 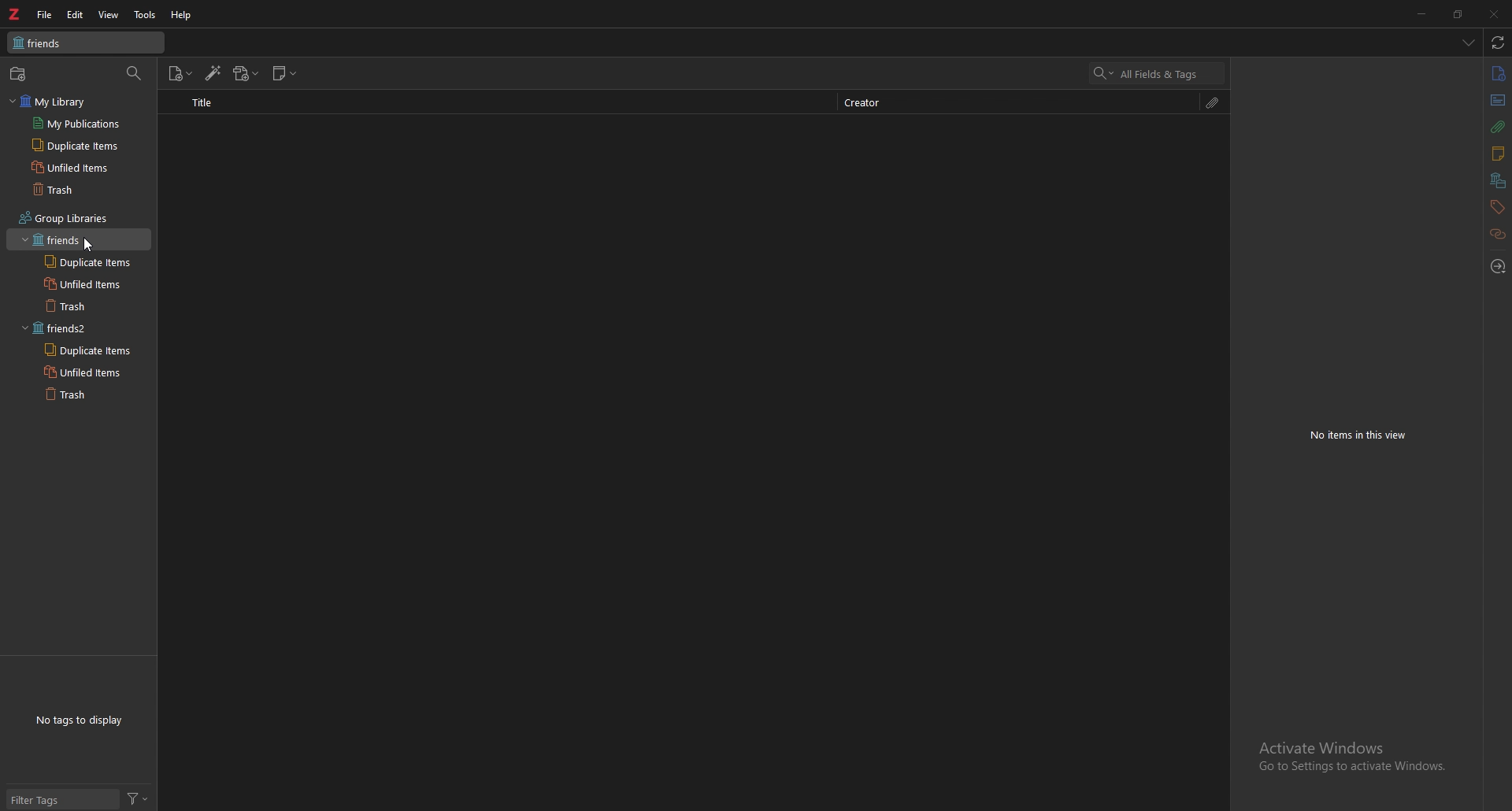 What do you see at coordinates (90, 394) in the screenshot?
I see `trash` at bounding box center [90, 394].